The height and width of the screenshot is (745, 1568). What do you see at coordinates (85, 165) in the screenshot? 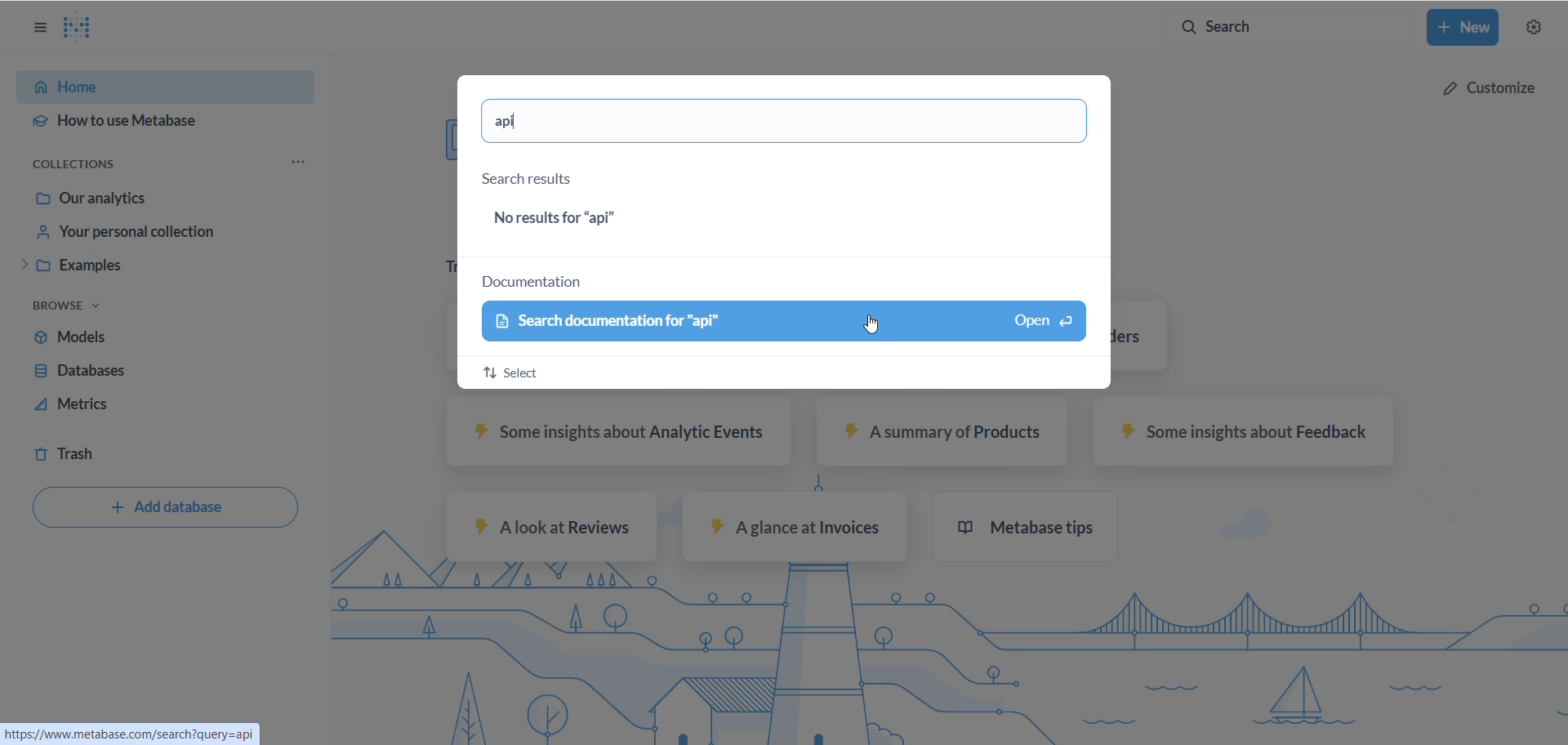
I see `COLLECTION OPTIONS` at bounding box center [85, 165].